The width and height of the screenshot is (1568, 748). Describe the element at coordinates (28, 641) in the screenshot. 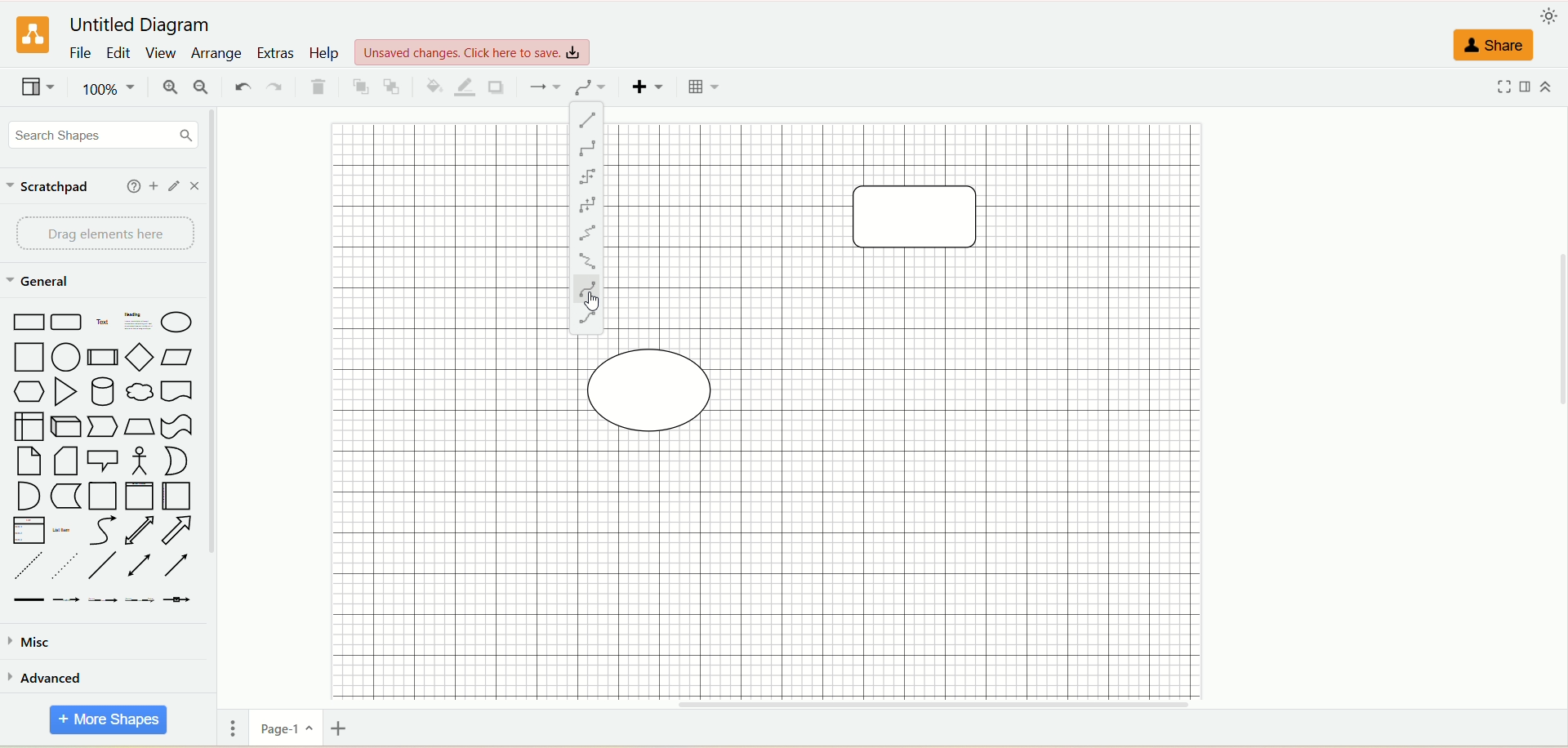

I see `musc` at that location.